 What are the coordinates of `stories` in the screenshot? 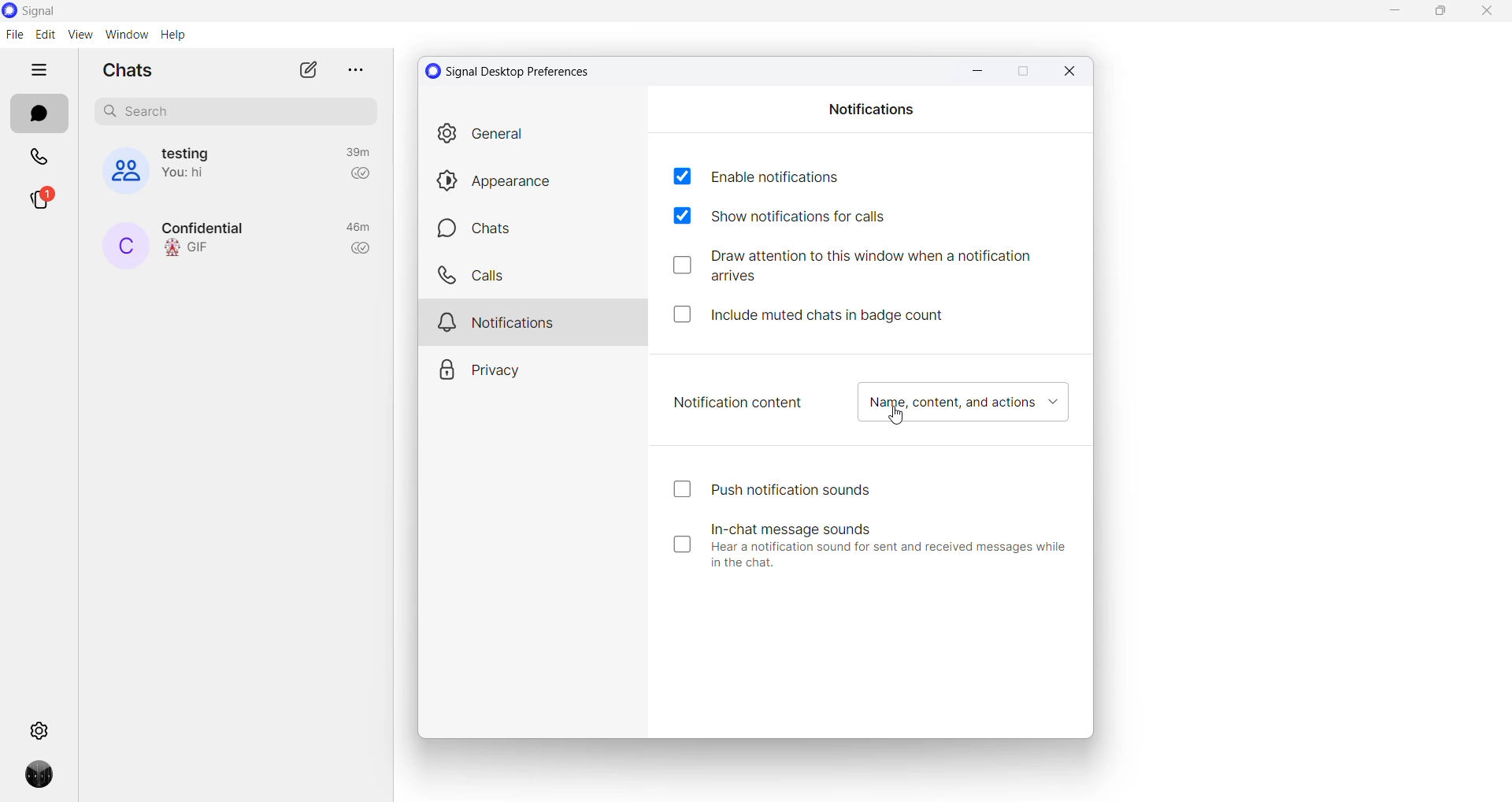 It's located at (39, 204).